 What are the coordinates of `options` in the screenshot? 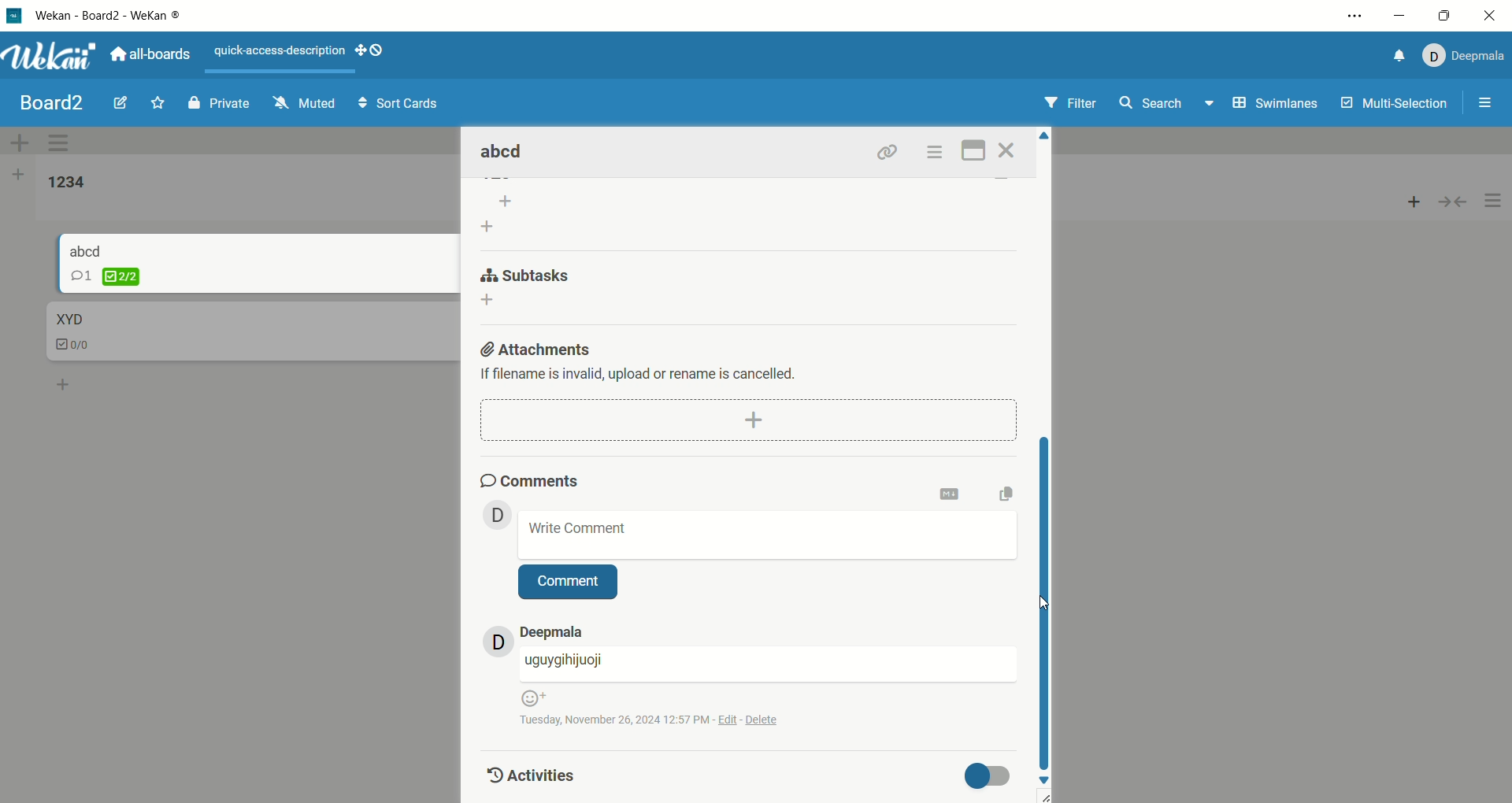 It's located at (1357, 16).